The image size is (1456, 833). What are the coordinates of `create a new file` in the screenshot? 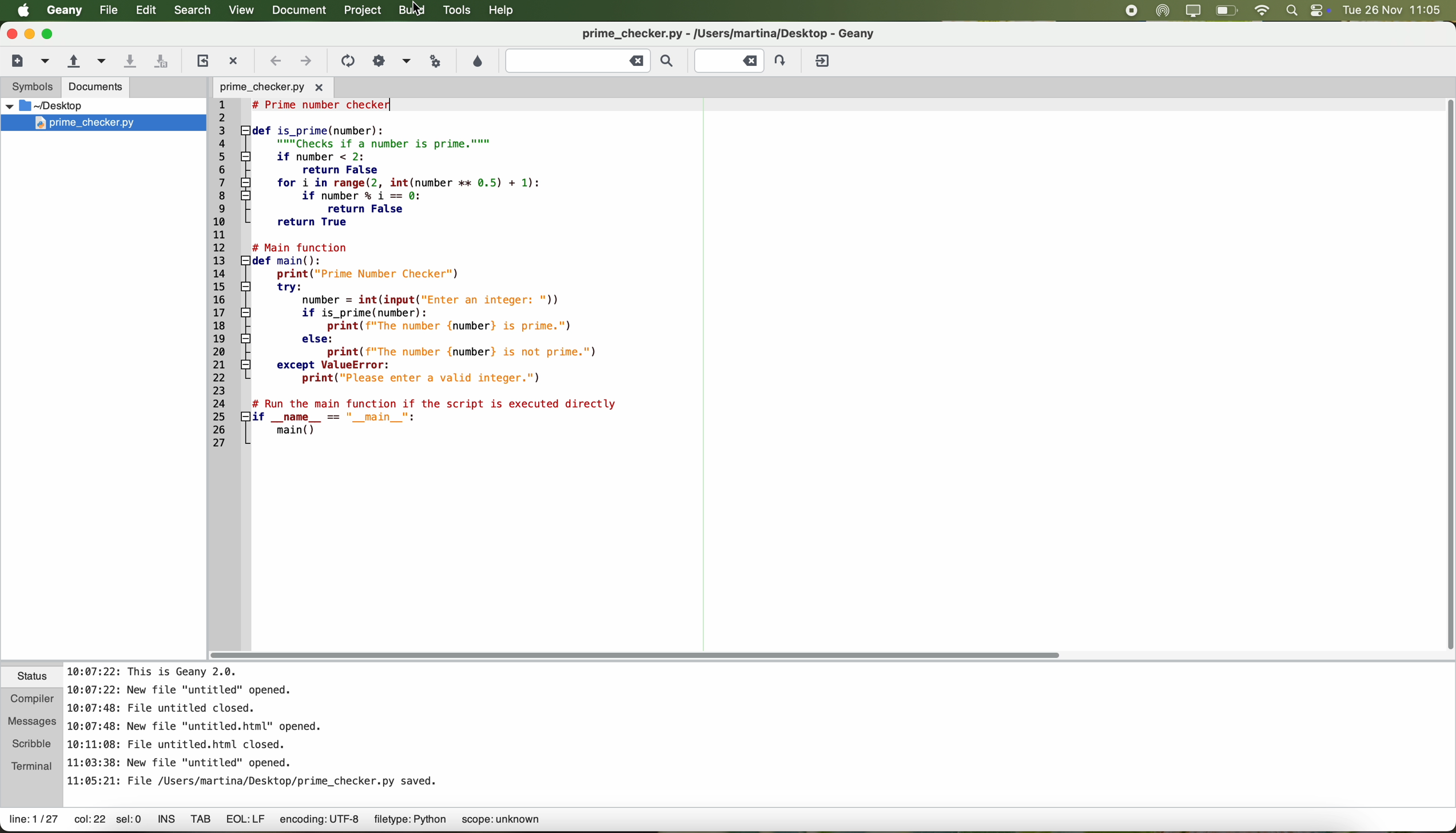 It's located at (17, 61).